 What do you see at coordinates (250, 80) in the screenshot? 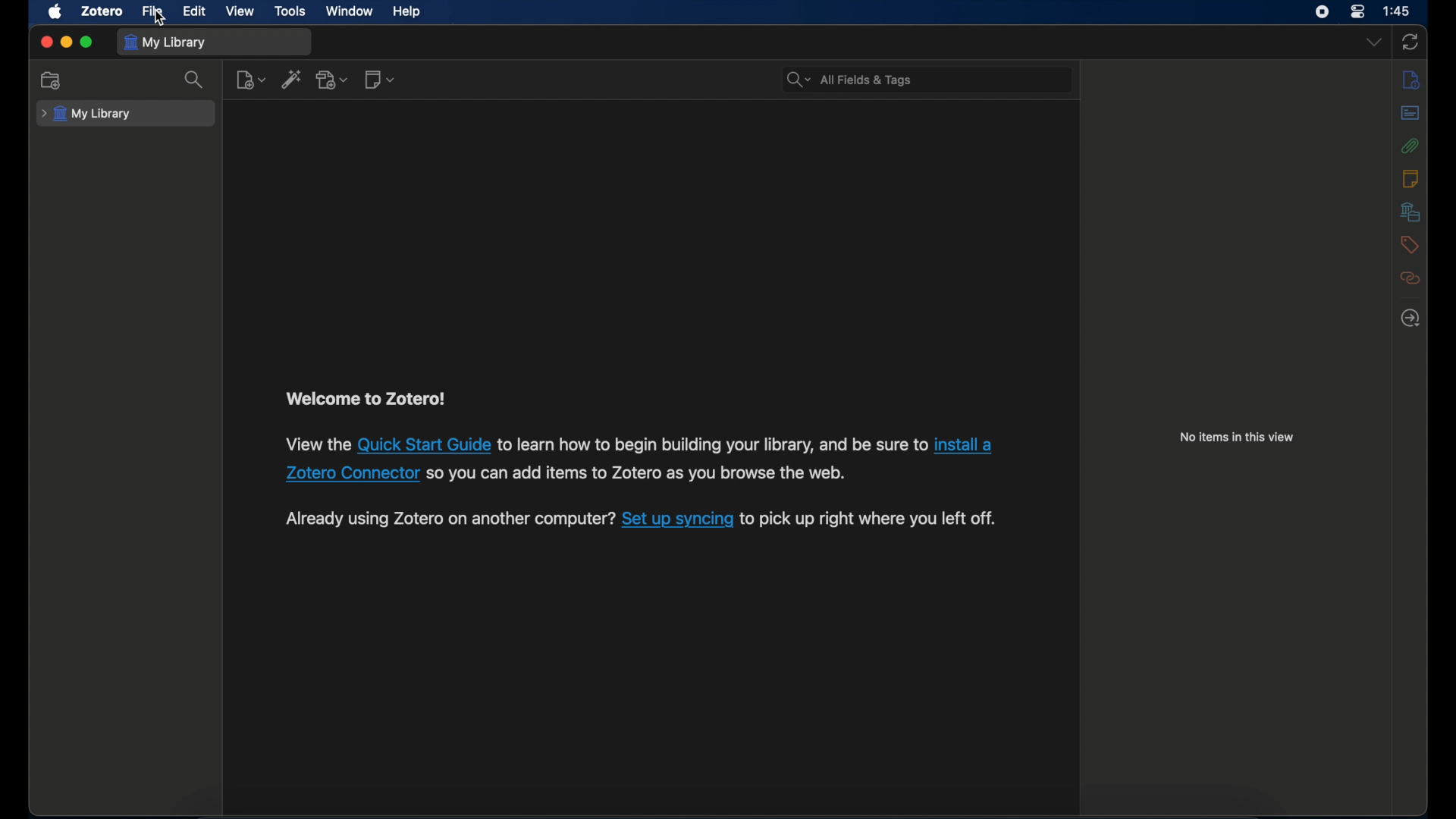
I see `new item` at bounding box center [250, 80].